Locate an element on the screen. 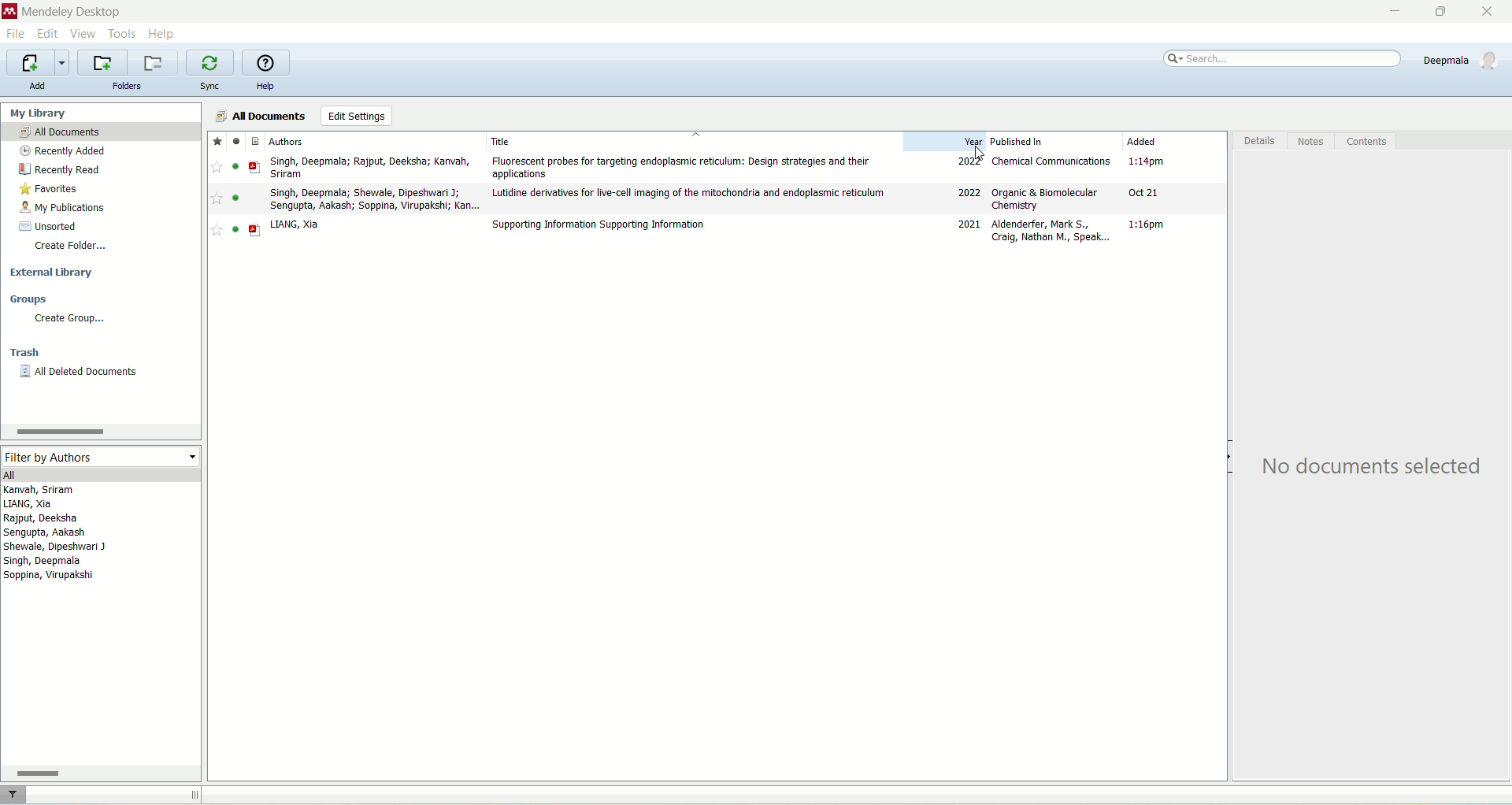 The image size is (1512, 805). mendeley desktop is located at coordinates (72, 13).